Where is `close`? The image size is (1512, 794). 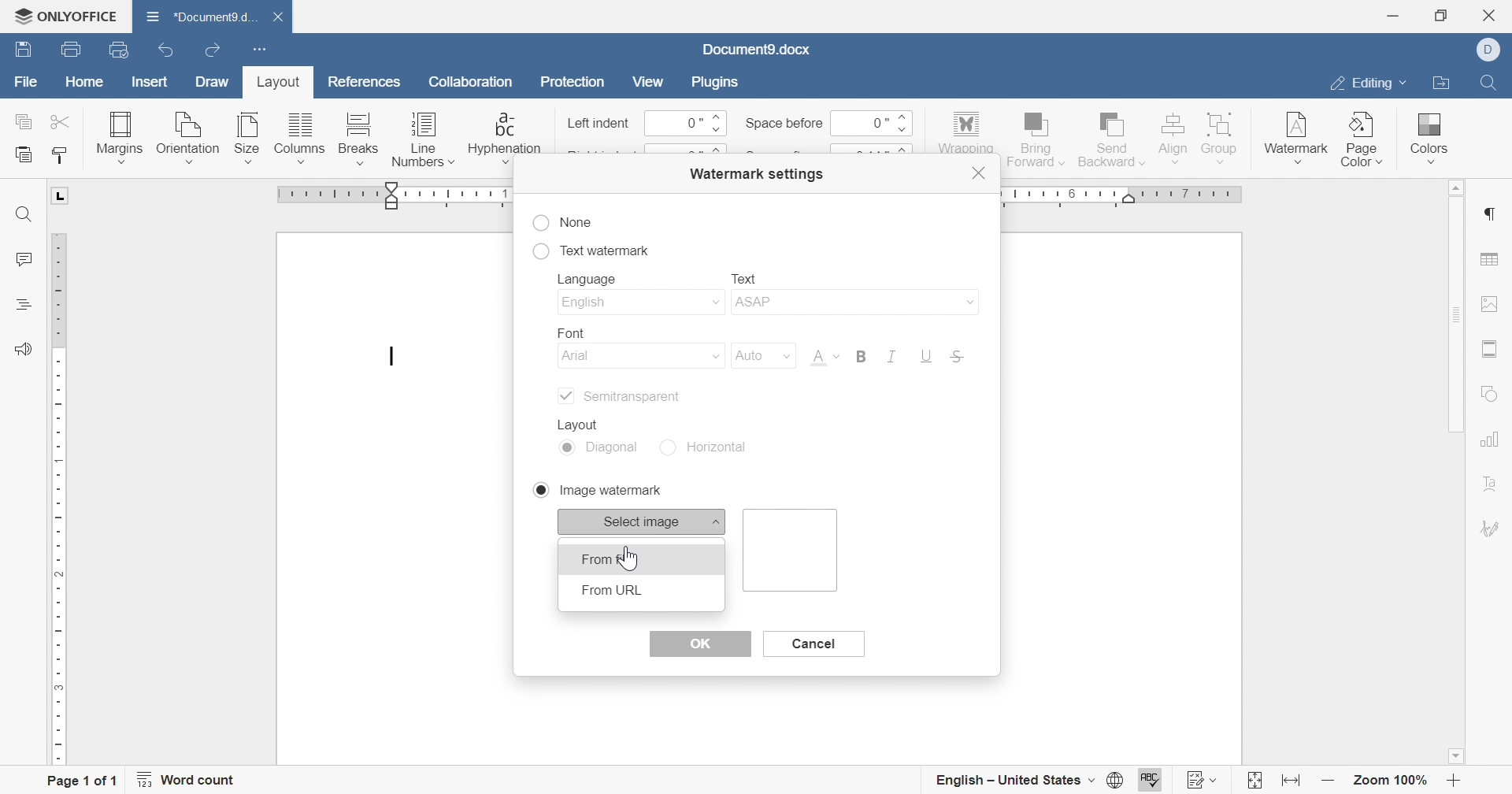 close is located at coordinates (1494, 15).